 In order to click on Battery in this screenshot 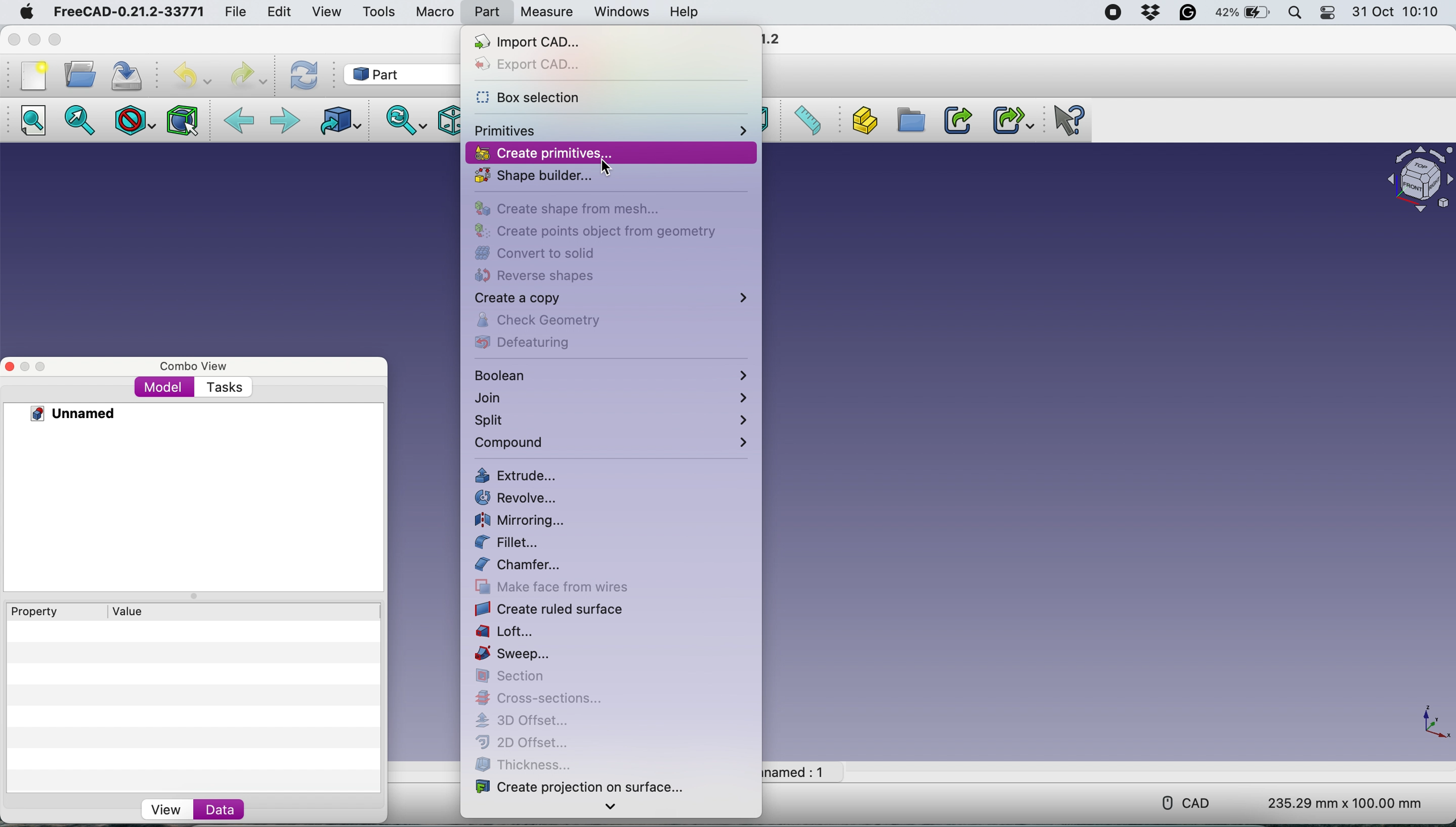, I will do `click(1239, 11)`.